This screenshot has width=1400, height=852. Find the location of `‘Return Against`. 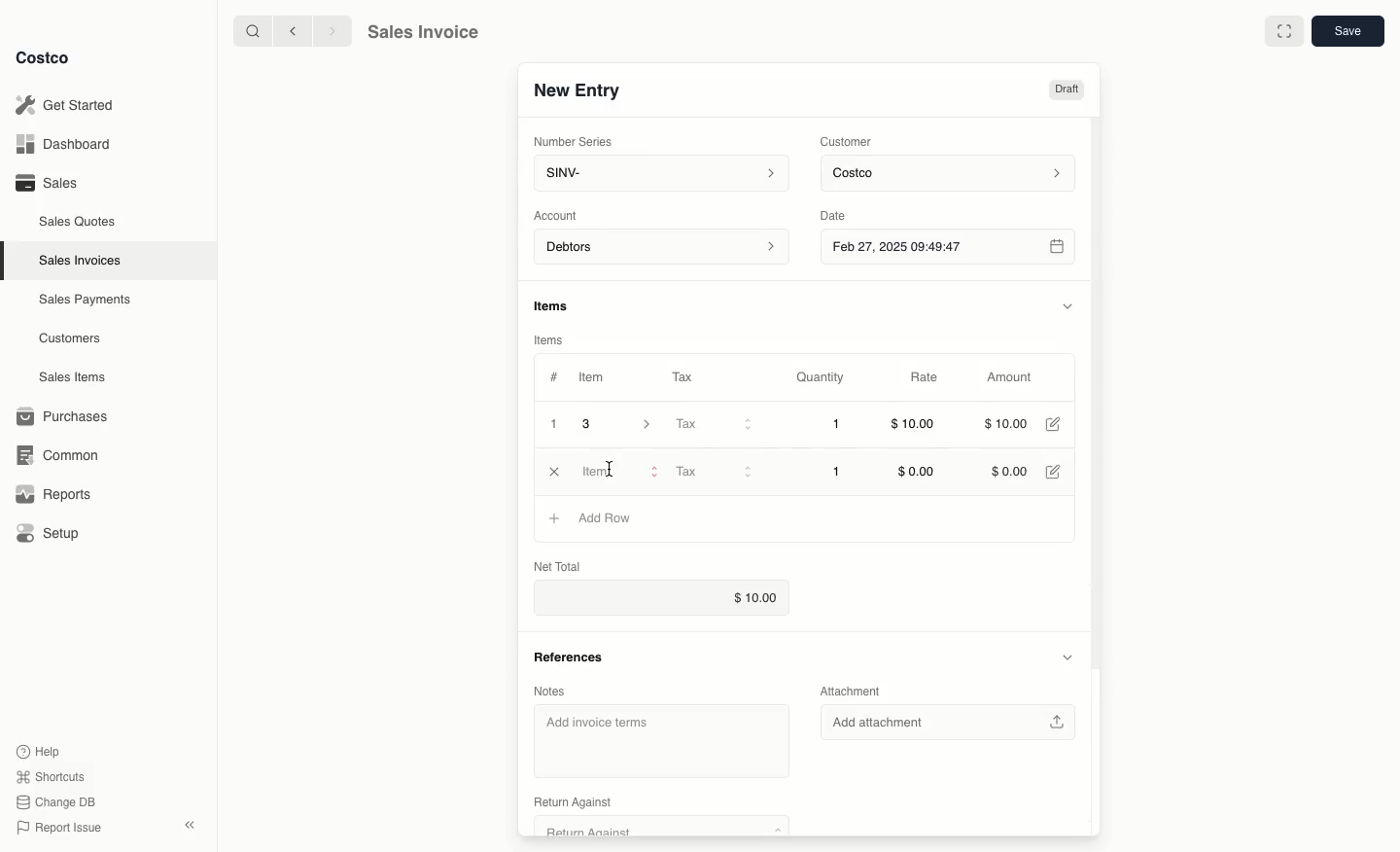

‘Return Against is located at coordinates (571, 801).